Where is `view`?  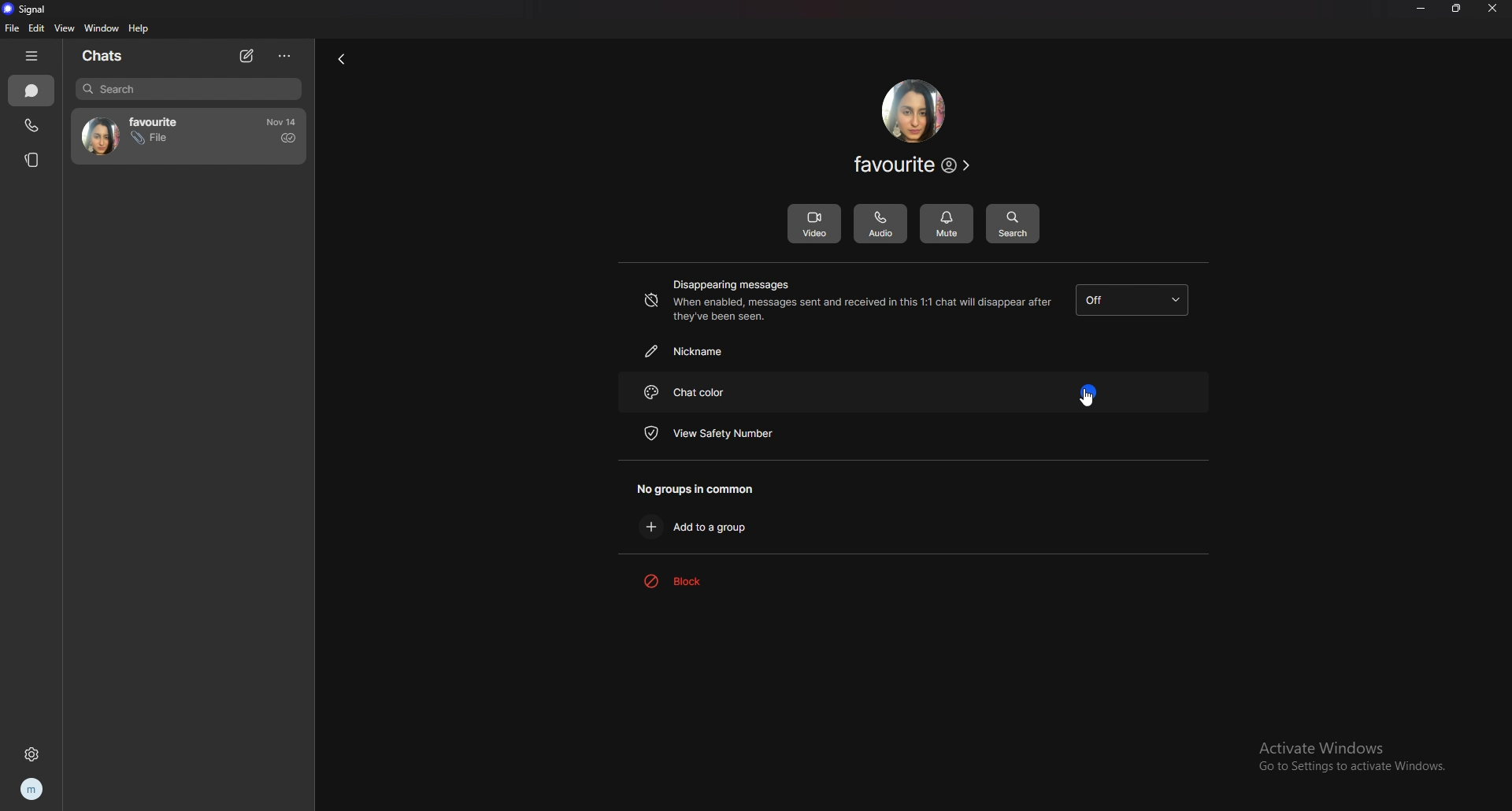
view is located at coordinates (64, 28).